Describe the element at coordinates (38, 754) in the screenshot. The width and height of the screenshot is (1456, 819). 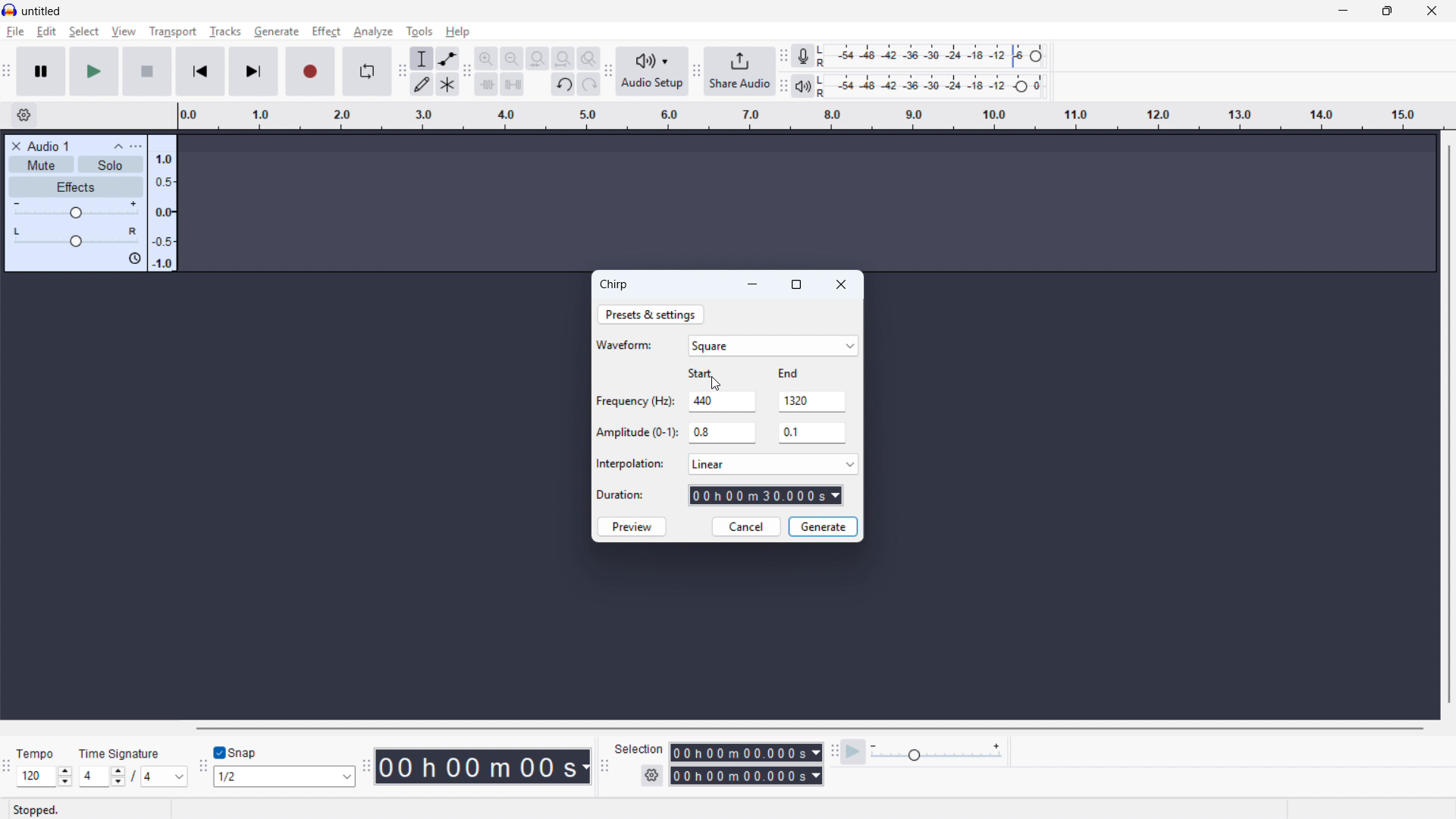
I see `tempo` at that location.